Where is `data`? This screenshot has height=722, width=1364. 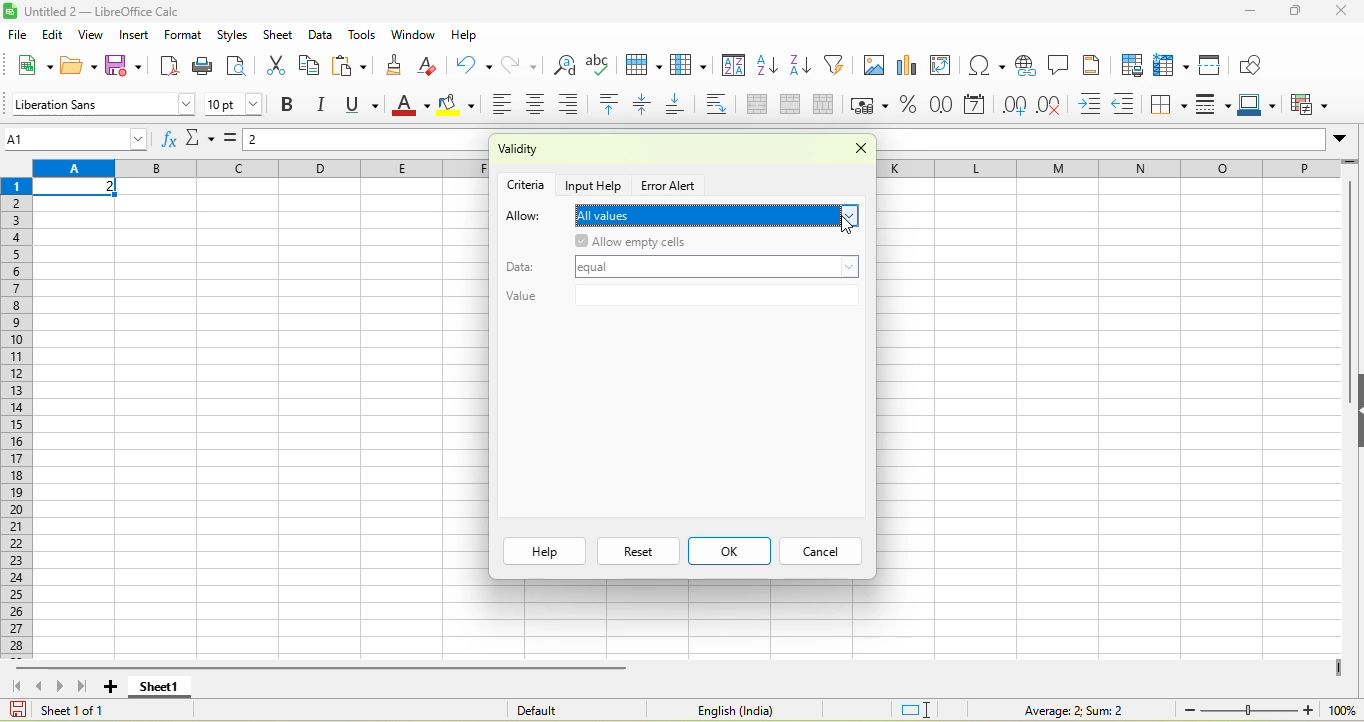 data is located at coordinates (526, 264).